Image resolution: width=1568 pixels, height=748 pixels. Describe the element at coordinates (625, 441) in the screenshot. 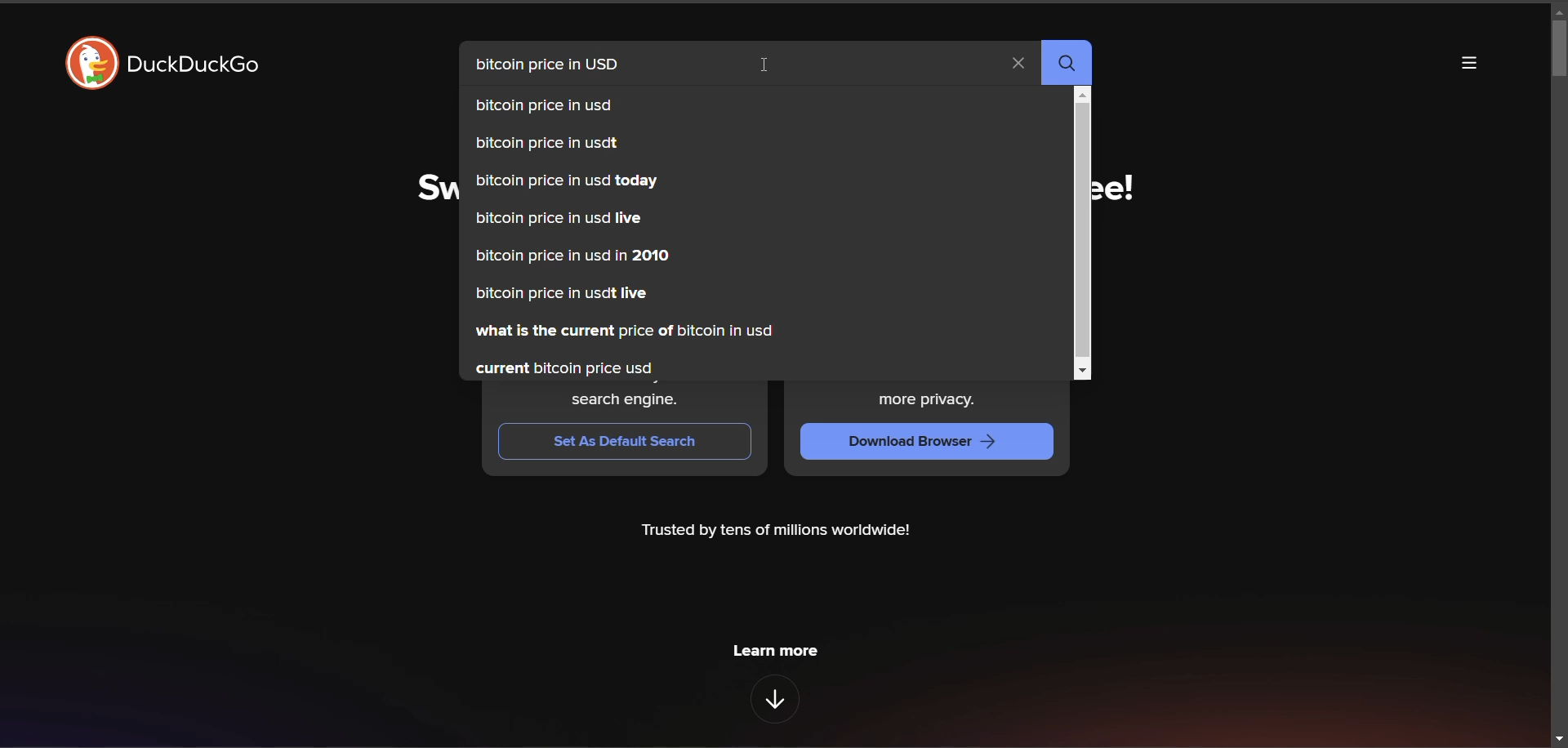

I see `set as default switch` at that location.